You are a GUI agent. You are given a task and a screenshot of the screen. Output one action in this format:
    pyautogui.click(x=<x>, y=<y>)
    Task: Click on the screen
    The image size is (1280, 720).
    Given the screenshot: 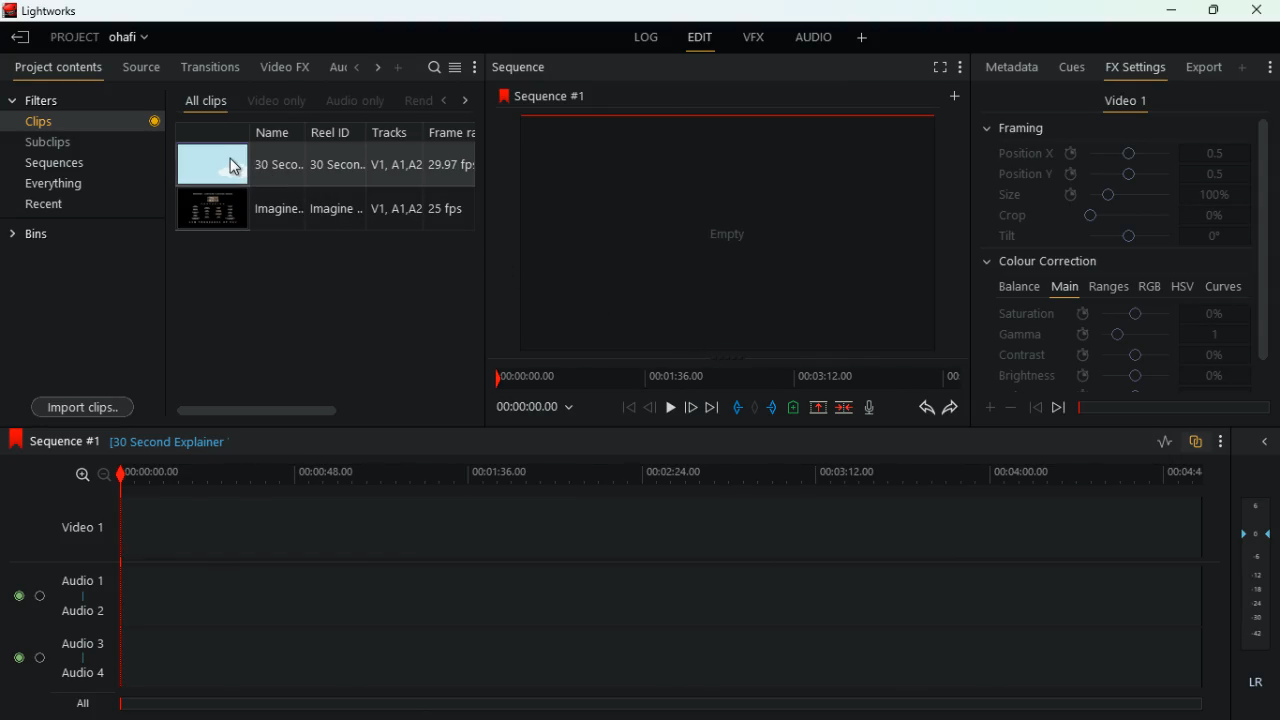 What is the action you would take?
    pyautogui.click(x=730, y=239)
    